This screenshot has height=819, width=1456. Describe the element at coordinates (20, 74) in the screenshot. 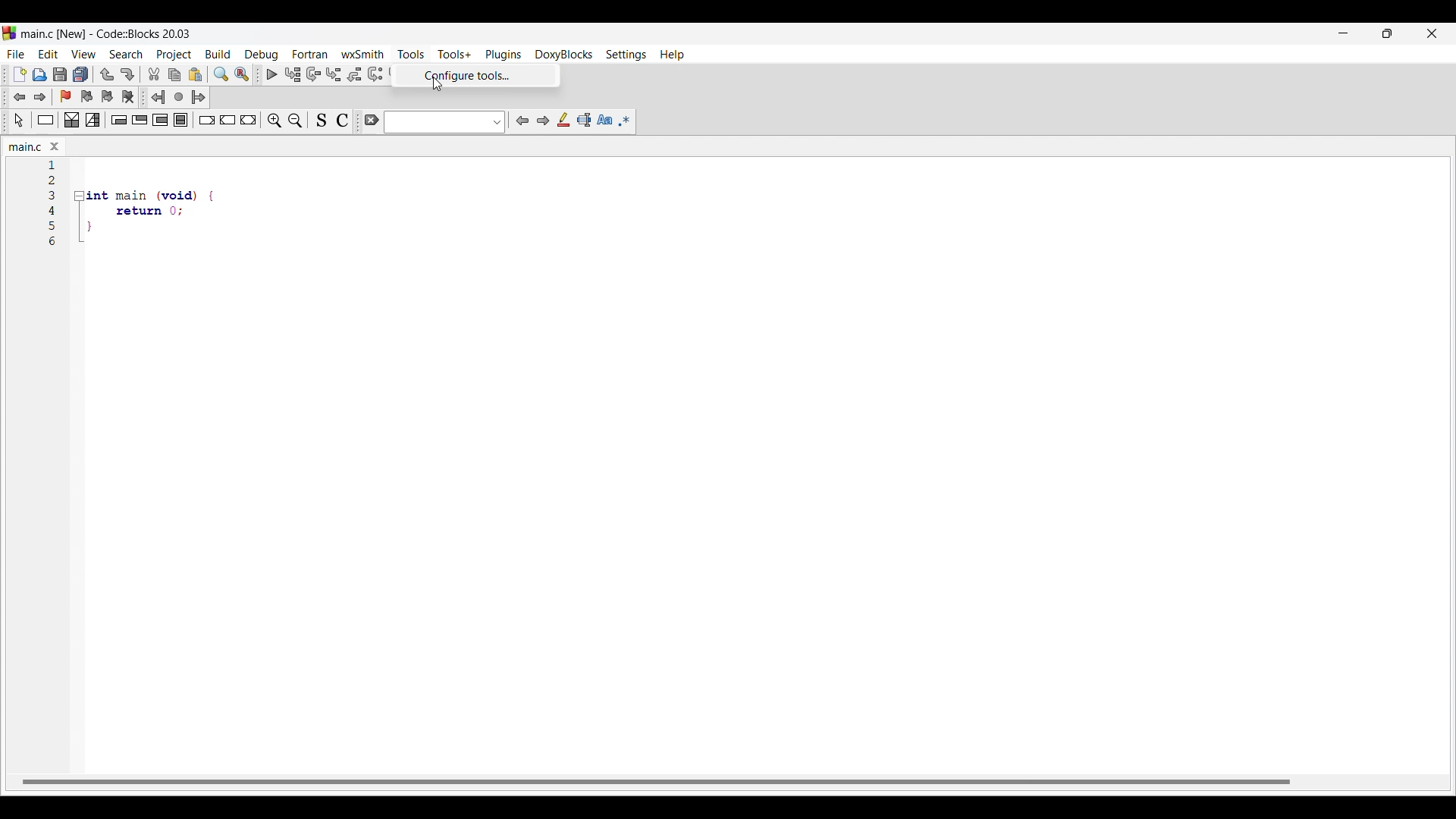

I see `New file` at that location.